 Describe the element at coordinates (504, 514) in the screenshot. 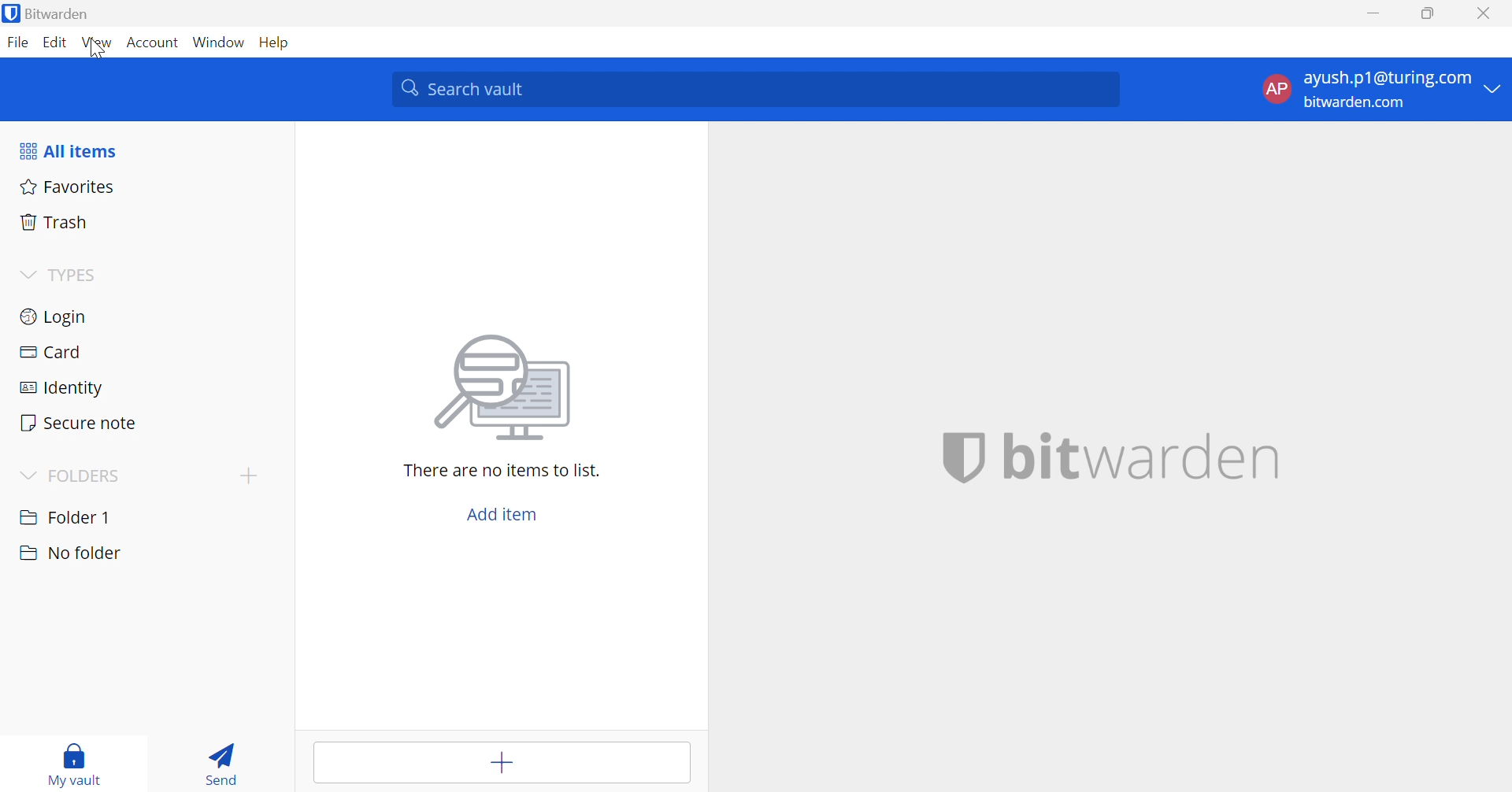

I see `Add item` at that location.